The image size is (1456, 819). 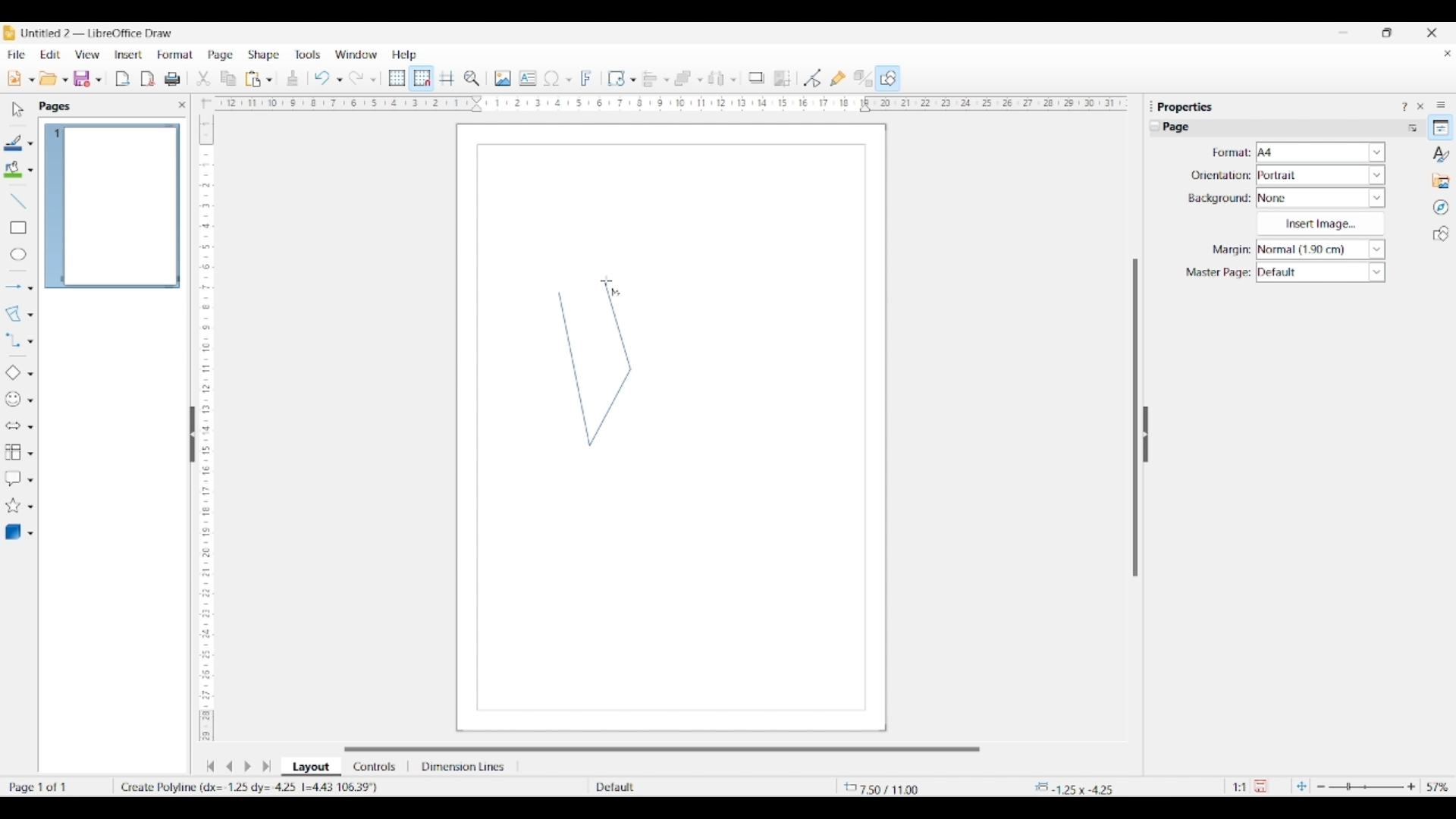 What do you see at coordinates (255, 786) in the screenshot?
I see `Co-ordinates of Ploygon changed` at bounding box center [255, 786].